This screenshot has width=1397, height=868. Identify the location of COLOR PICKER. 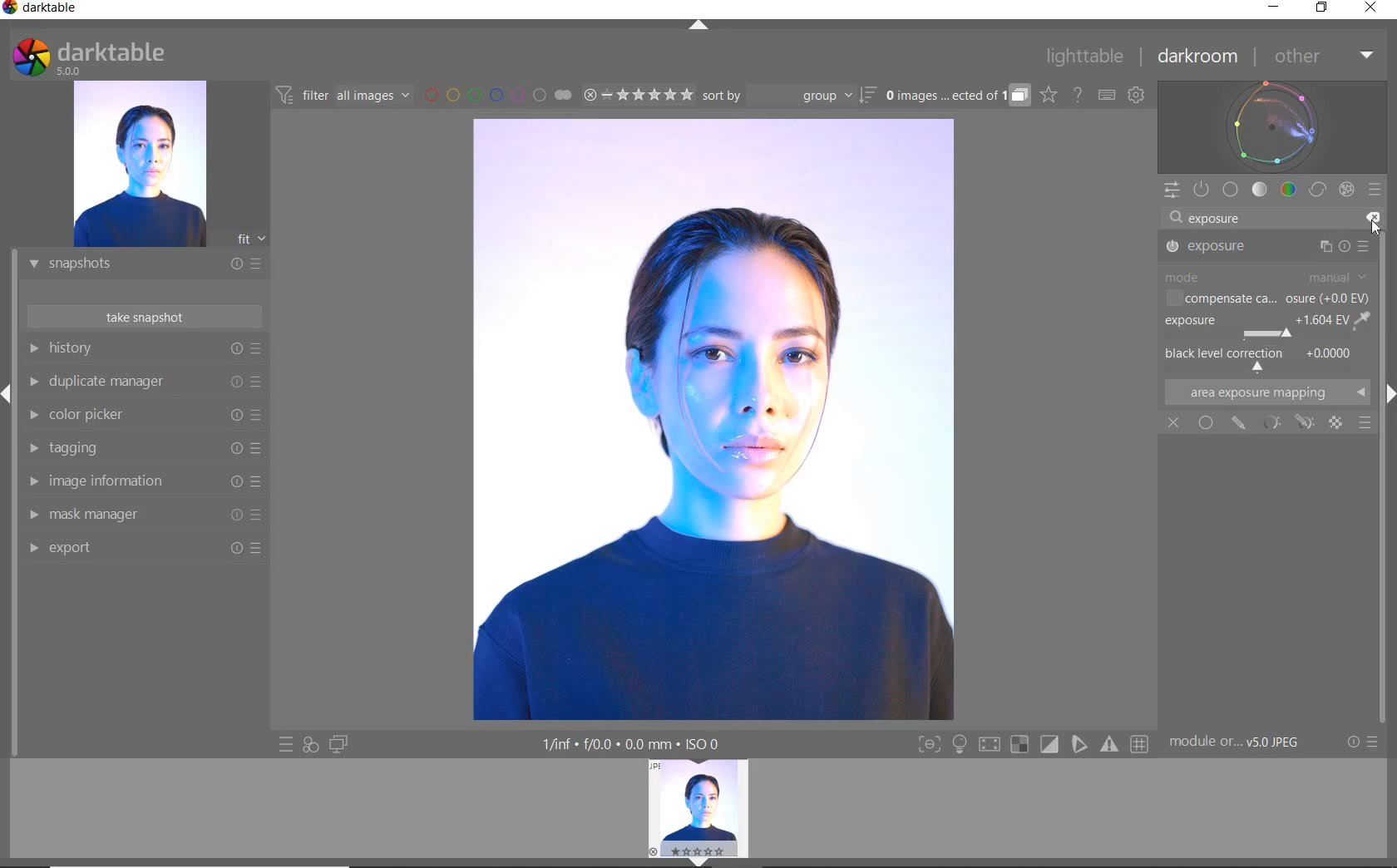
(141, 416).